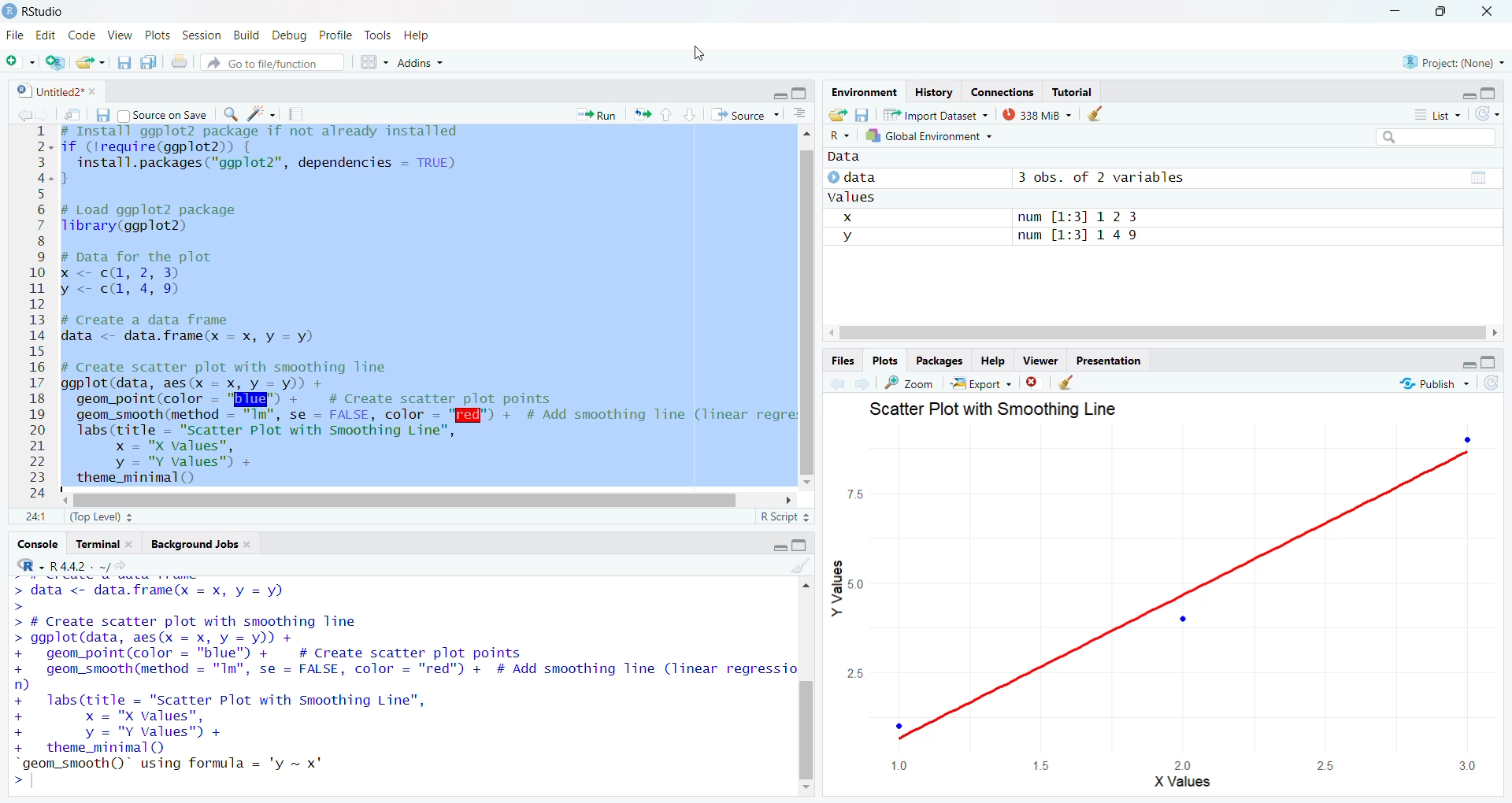 The height and width of the screenshot is (803, 1512). Describe the element at coordinates (991, 361) in the screenshot. I see `Help` at that location.